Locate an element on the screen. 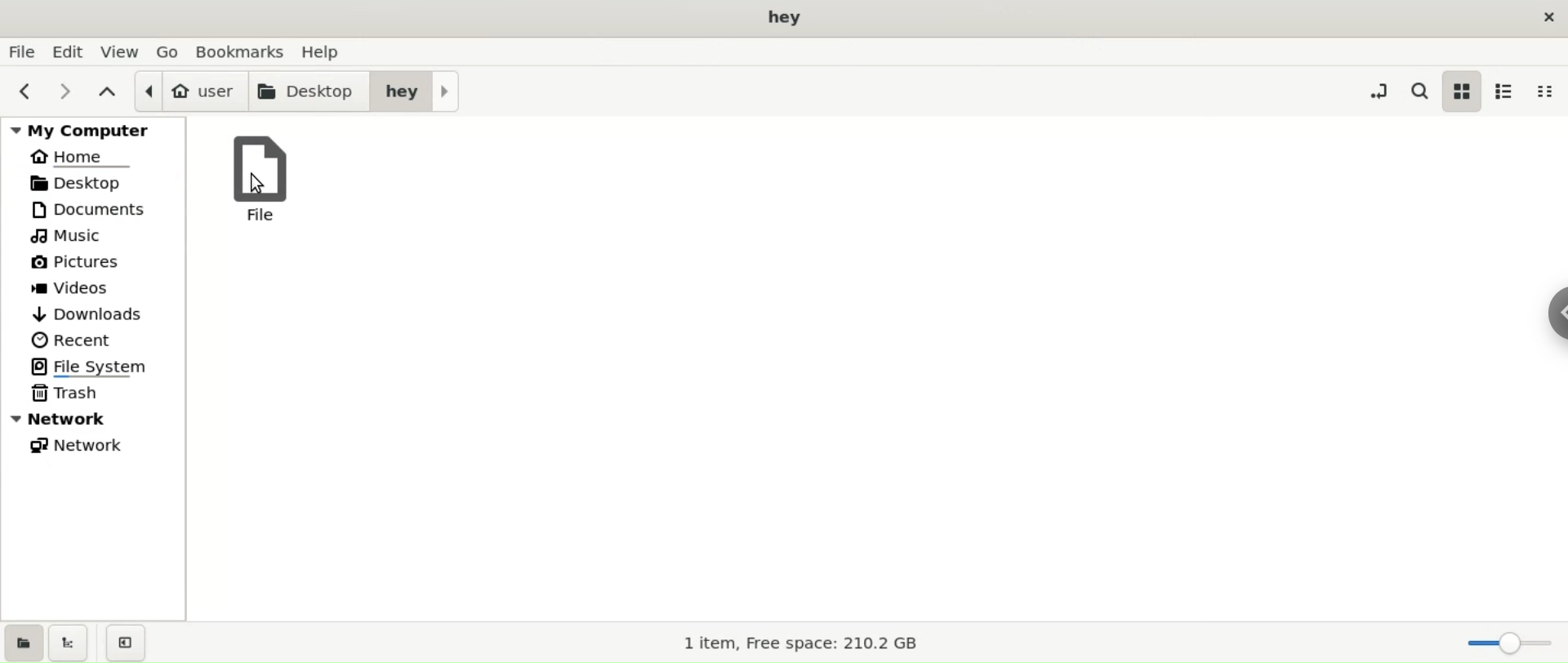  desktop is located at coordinates (306, 93).